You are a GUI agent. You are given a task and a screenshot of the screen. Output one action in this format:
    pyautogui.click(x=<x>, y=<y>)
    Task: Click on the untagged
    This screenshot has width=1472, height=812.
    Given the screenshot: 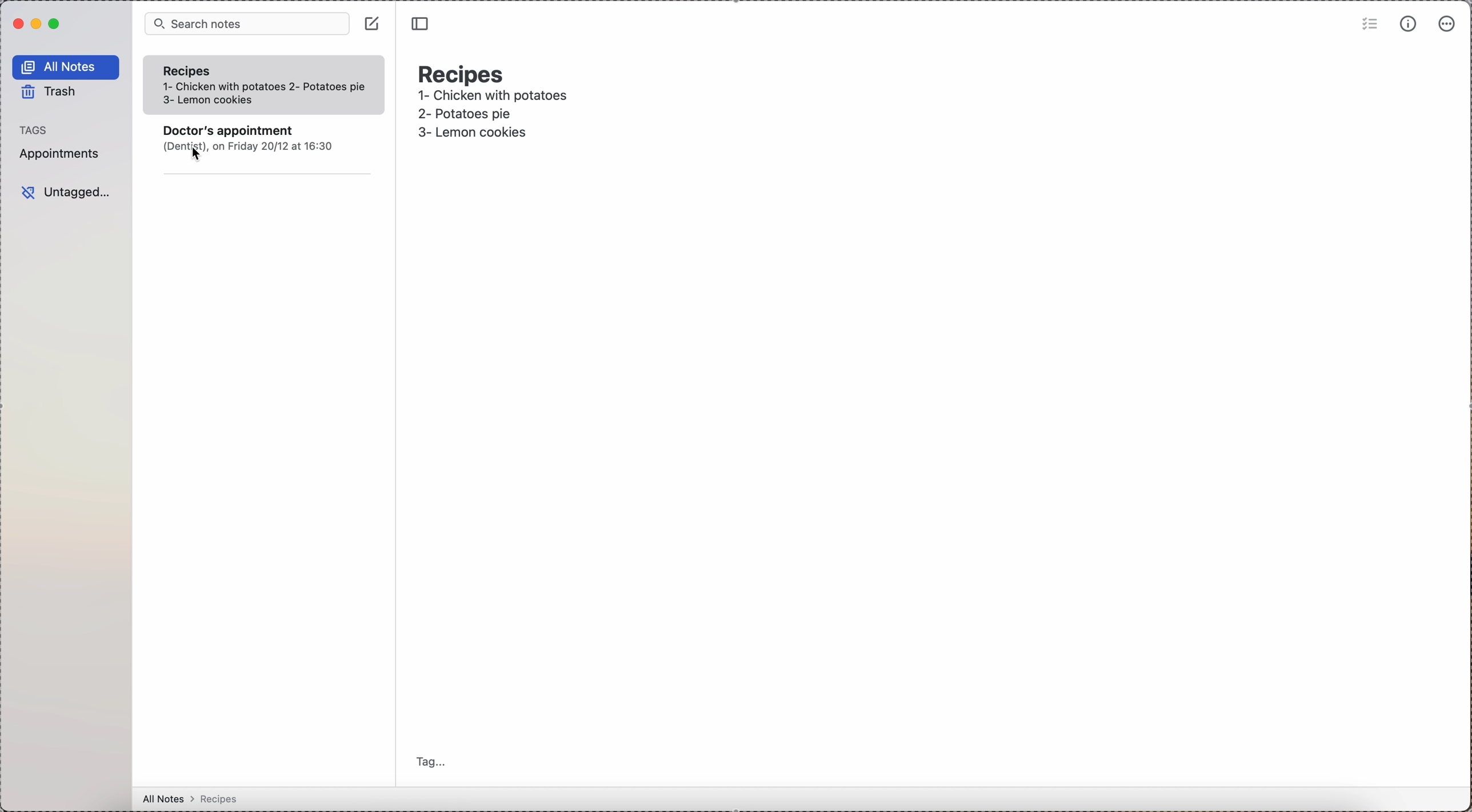 What is the action you would take?
    pyautogui.click(x=65, y=190)
    